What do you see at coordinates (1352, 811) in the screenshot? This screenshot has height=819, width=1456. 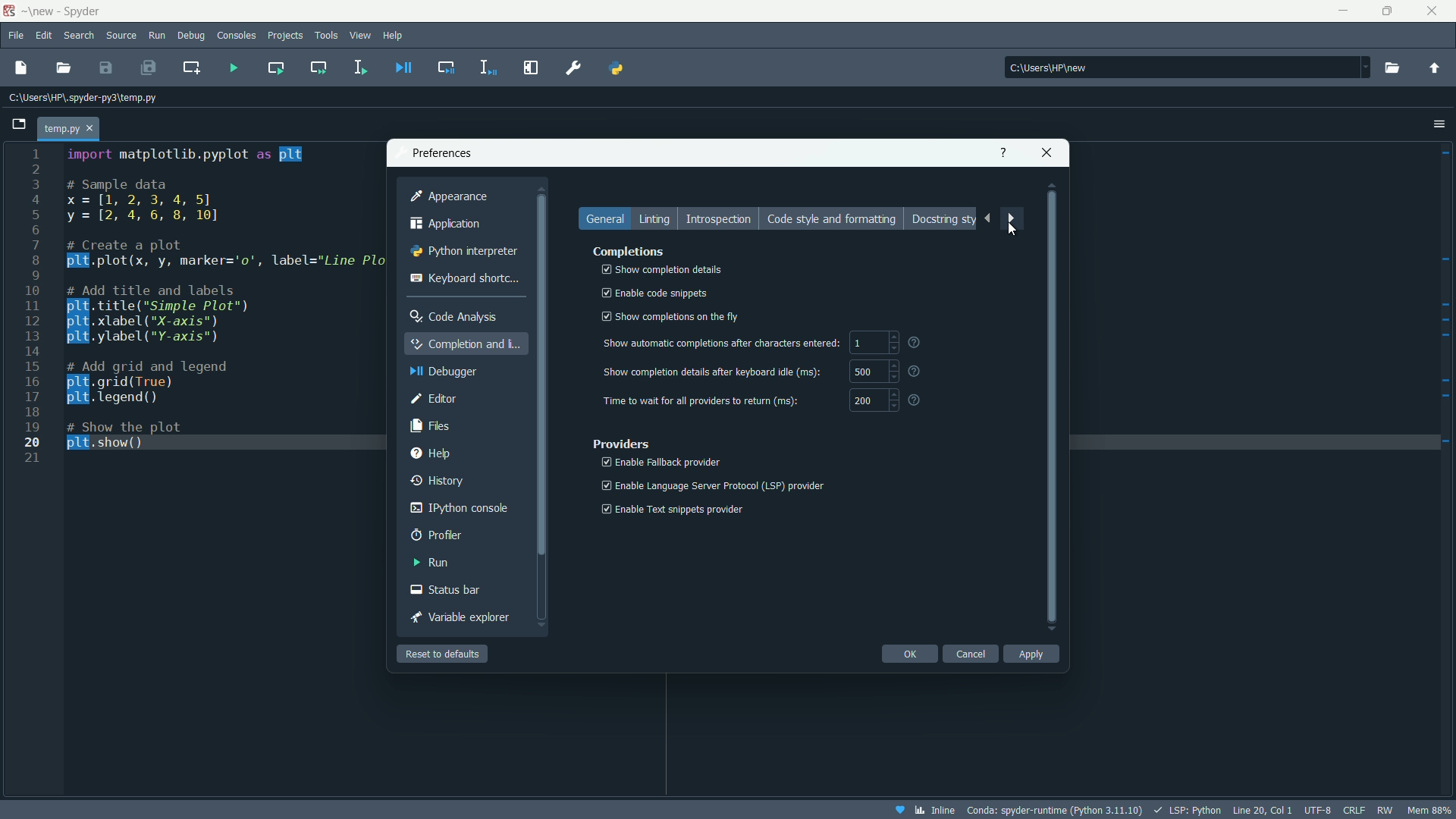 I see `file eol status` at bounding box center [1352, 811].